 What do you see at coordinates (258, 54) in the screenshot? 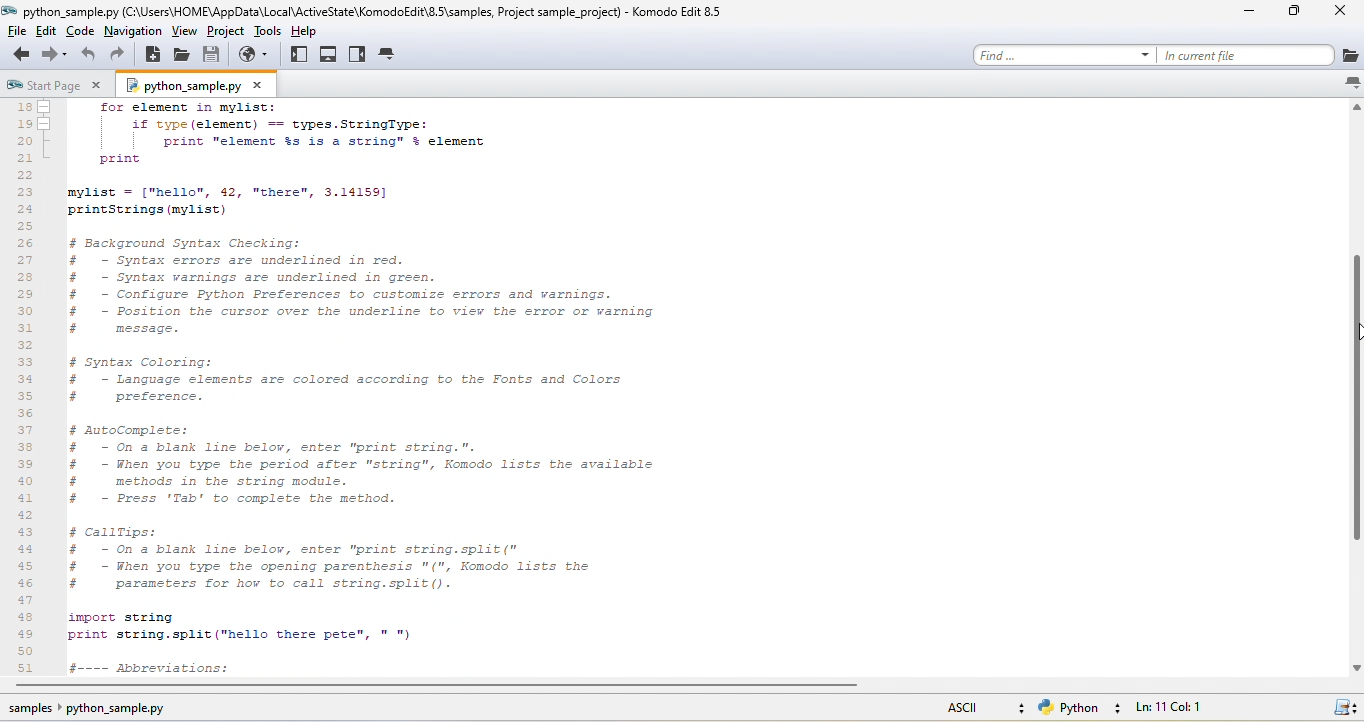
I see `browse` at bounding box center [258, 54].